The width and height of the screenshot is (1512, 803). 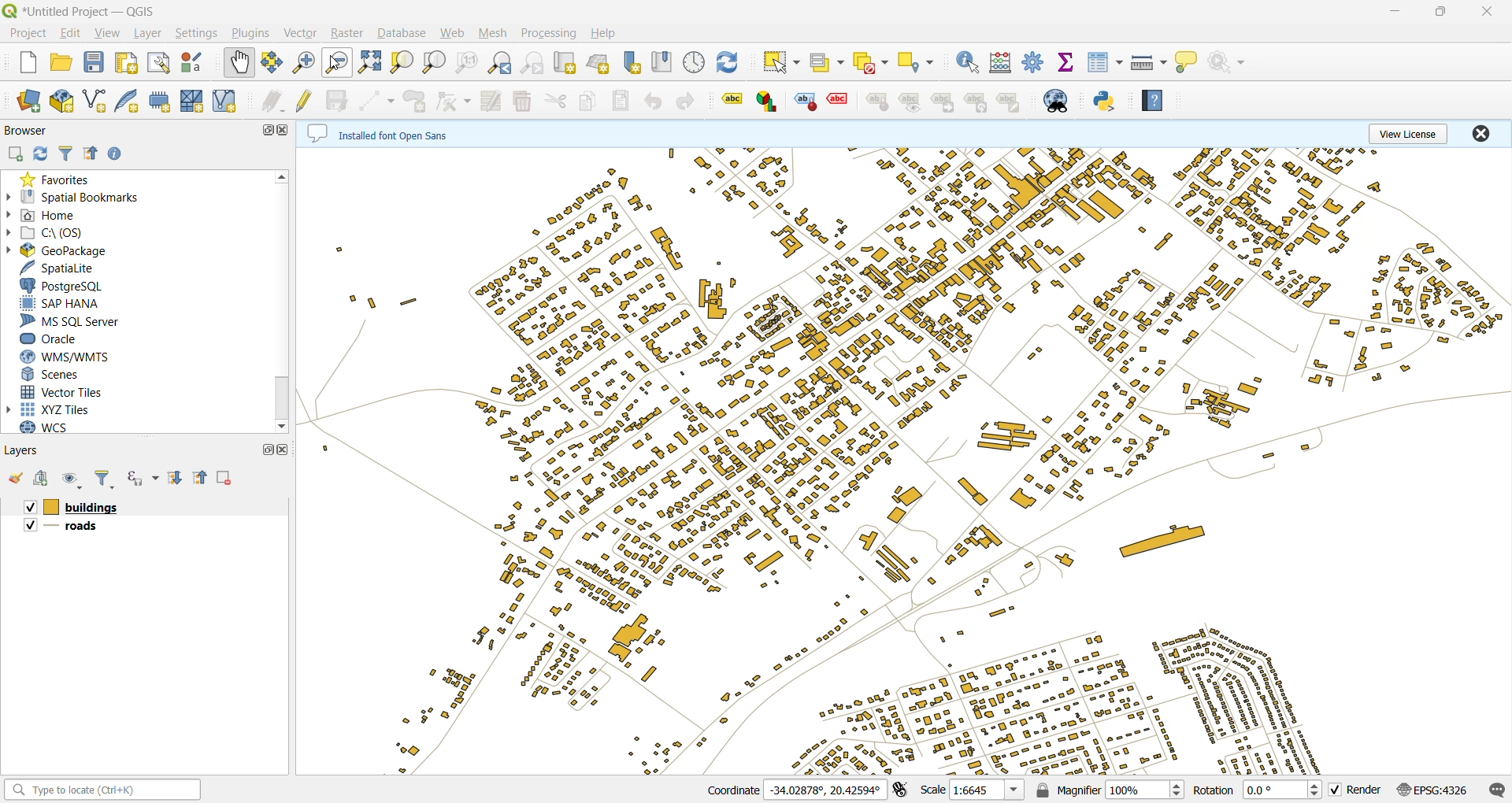 What do you see at coordinates (565, 64) in the screenshot?
I see `new map view` at bounding box center [565, 64].